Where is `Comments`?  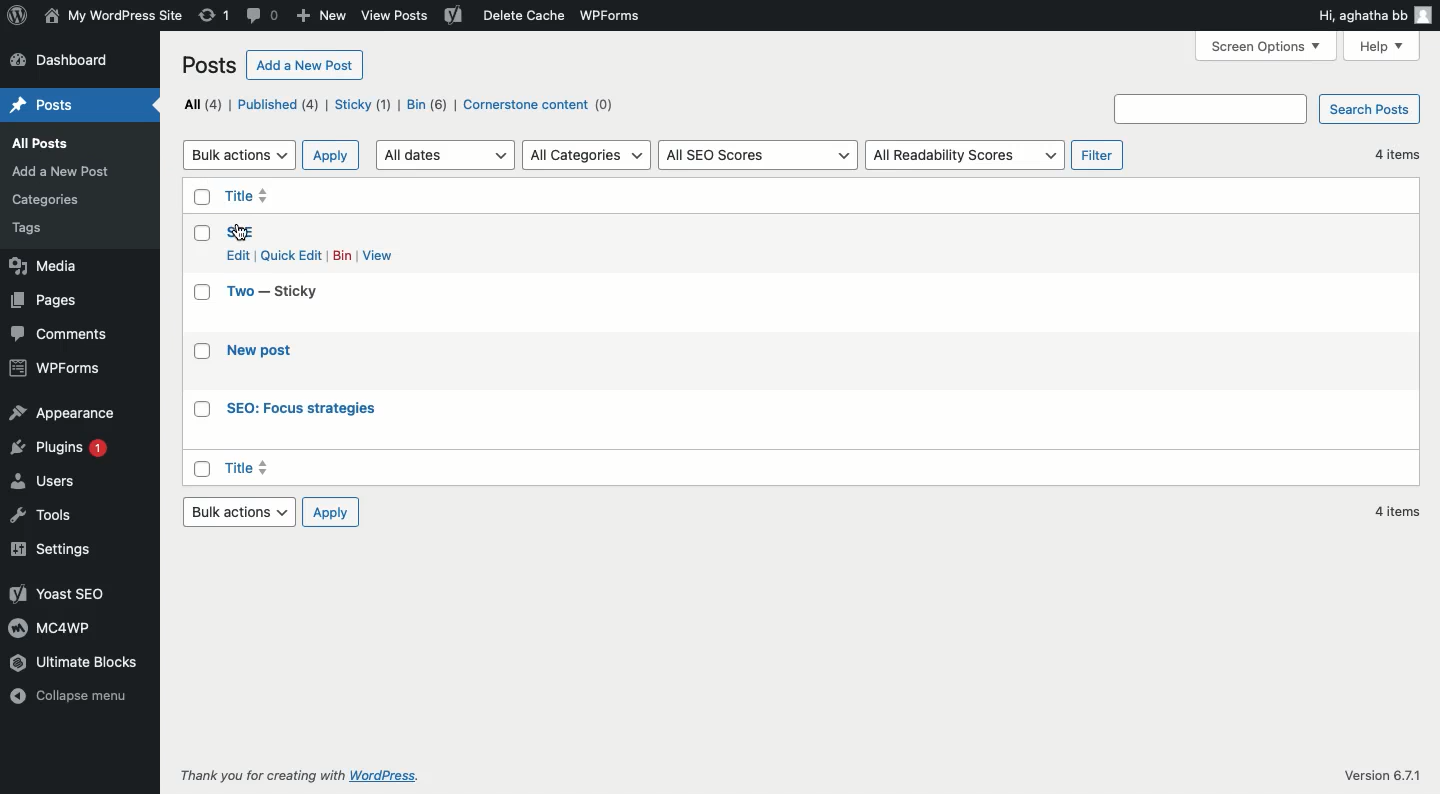
Comments is located at coordinates (64, 335).